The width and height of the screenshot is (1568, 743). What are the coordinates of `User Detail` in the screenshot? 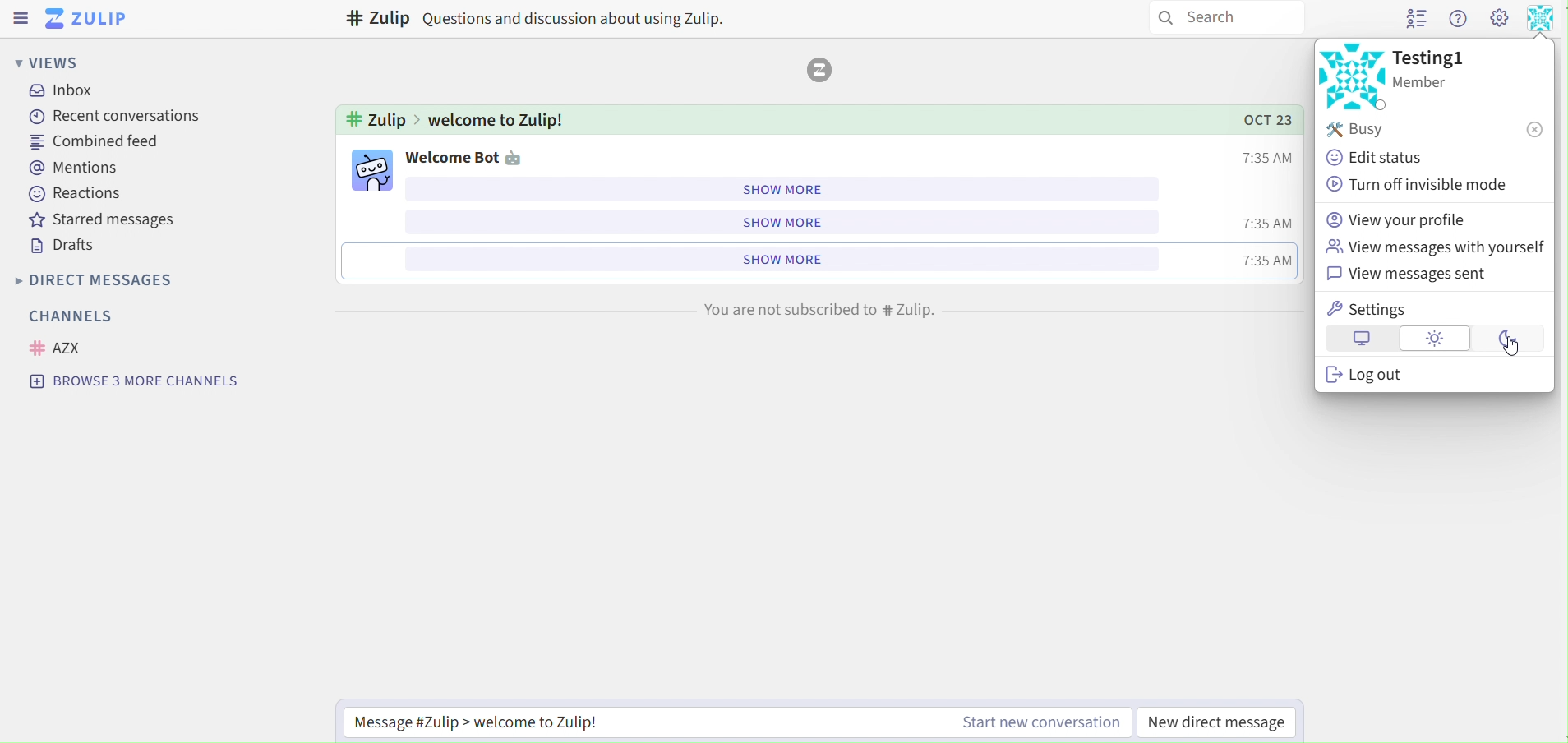 It's located at (1542, 18).